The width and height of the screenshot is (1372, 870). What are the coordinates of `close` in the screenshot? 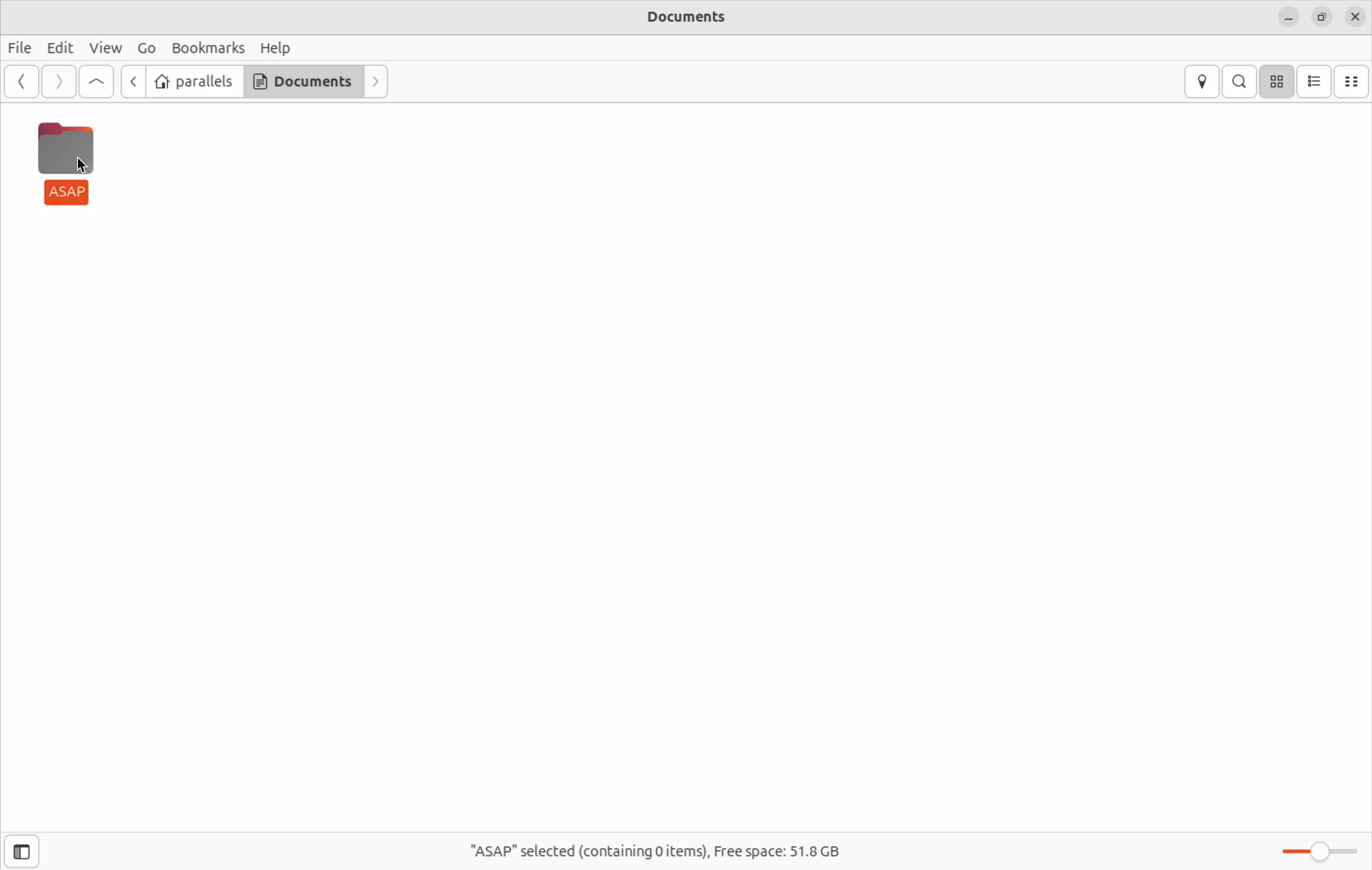 It's located at (1355, 17).